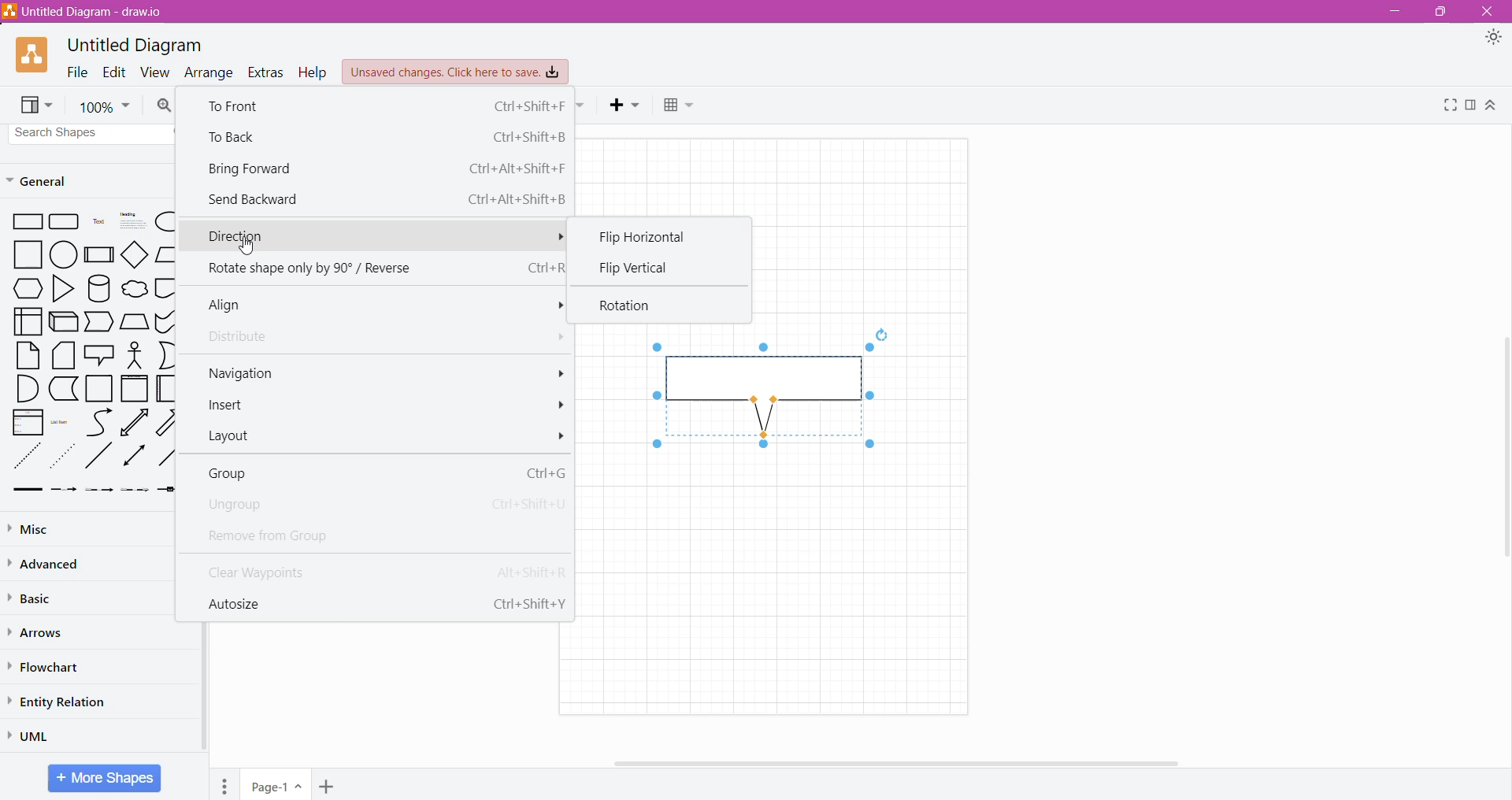 This screenshot has width=1512, height=800. I want to click on more, so click(554, 372).